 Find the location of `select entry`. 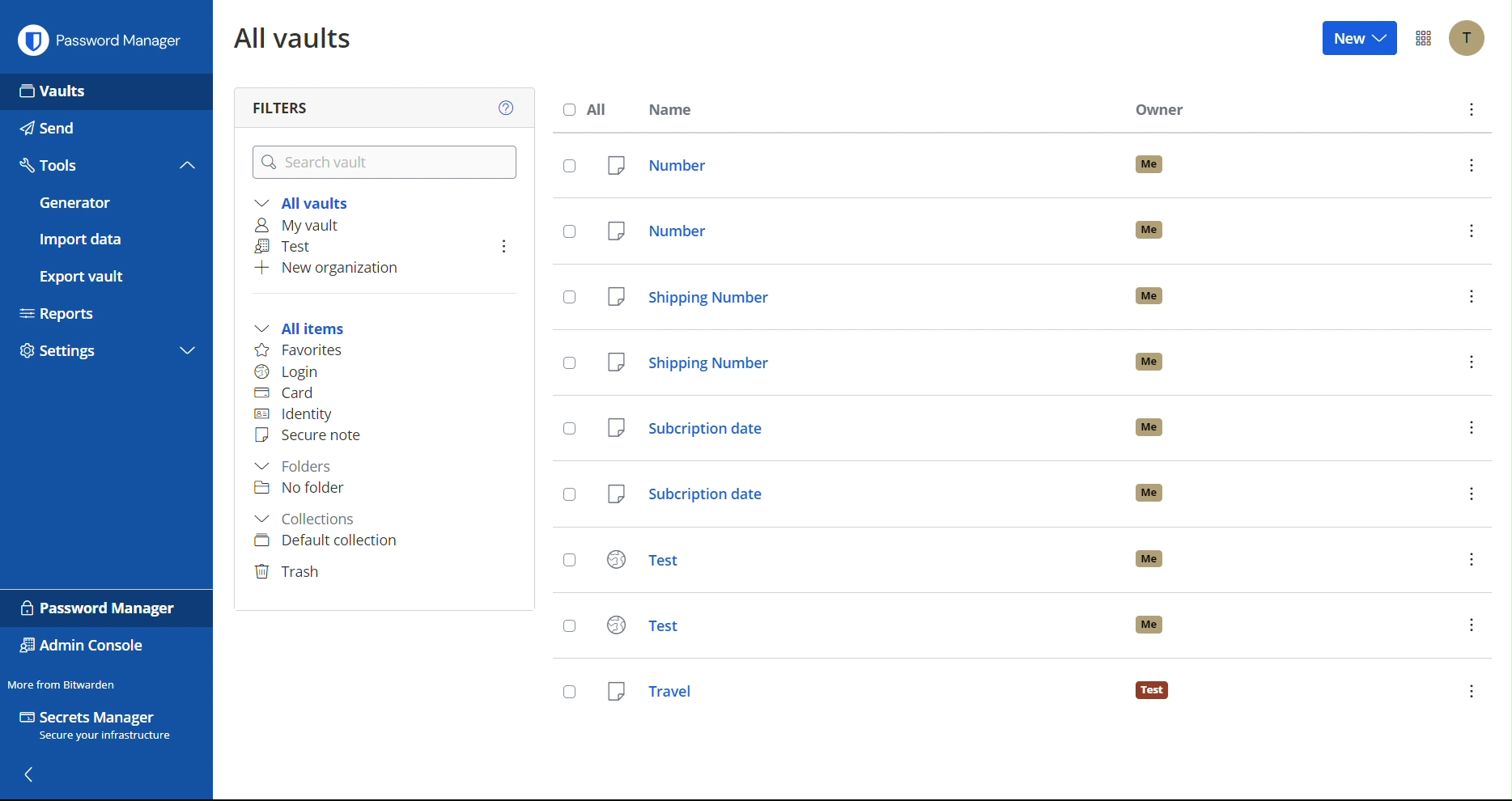

select entry is located at coordinates (570, 692).